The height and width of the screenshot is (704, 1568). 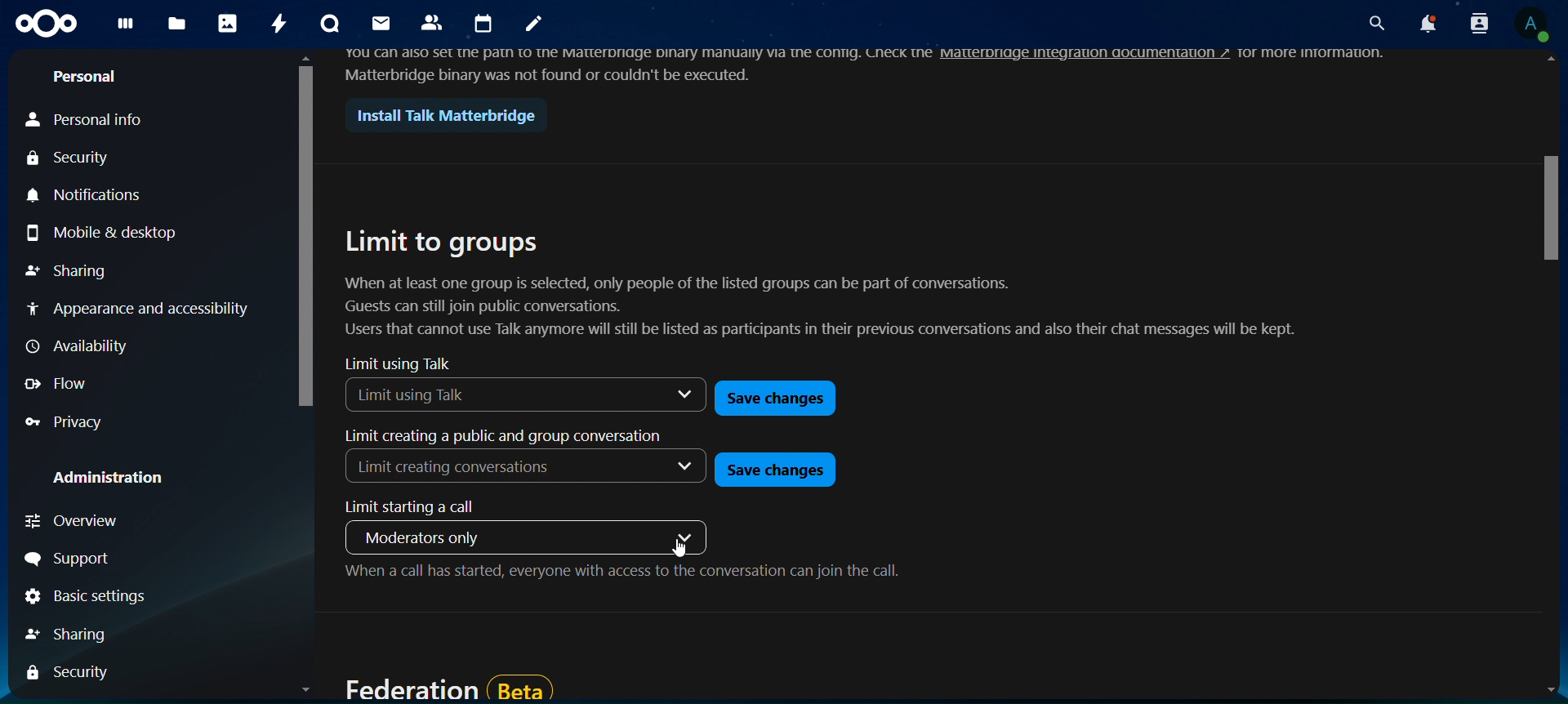 What do you see at coordinates (430, 537) in the screenshot?
I see `moderators only` at bounding box center [430, 537].